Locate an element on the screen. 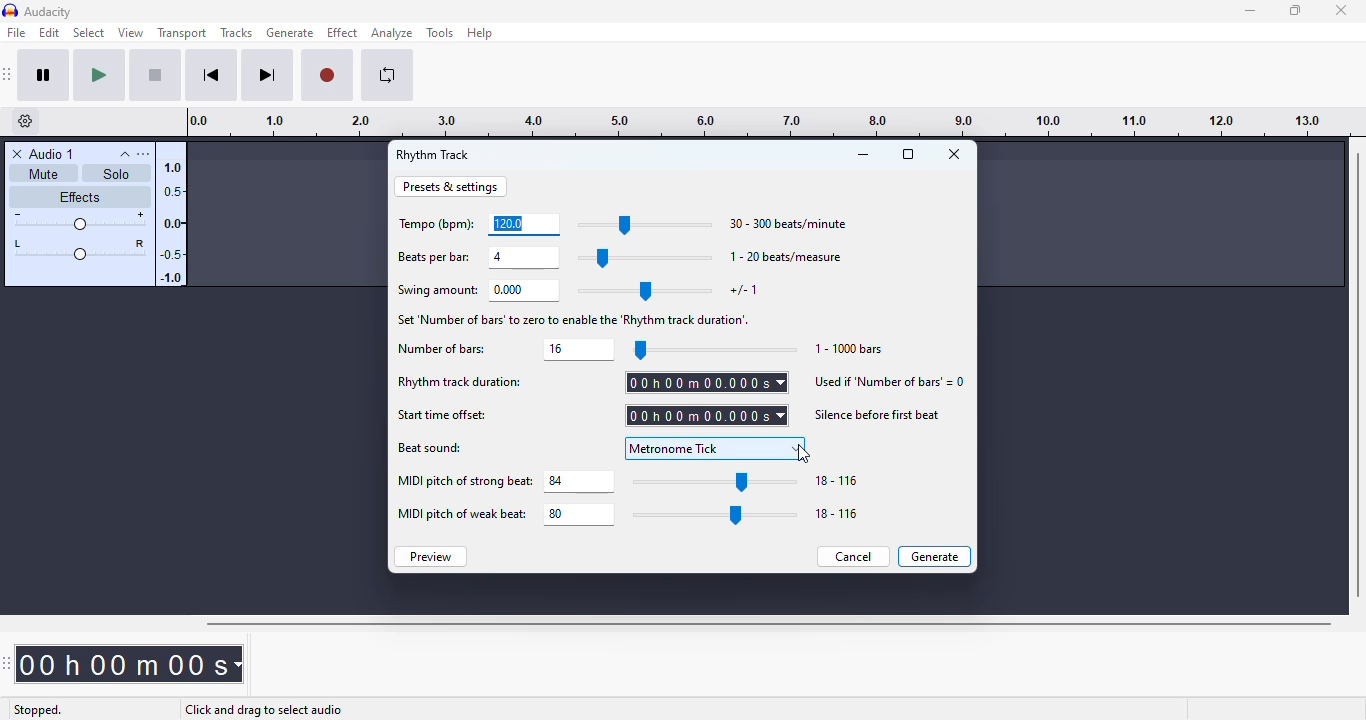  slider is located at coordinates (718, 482).